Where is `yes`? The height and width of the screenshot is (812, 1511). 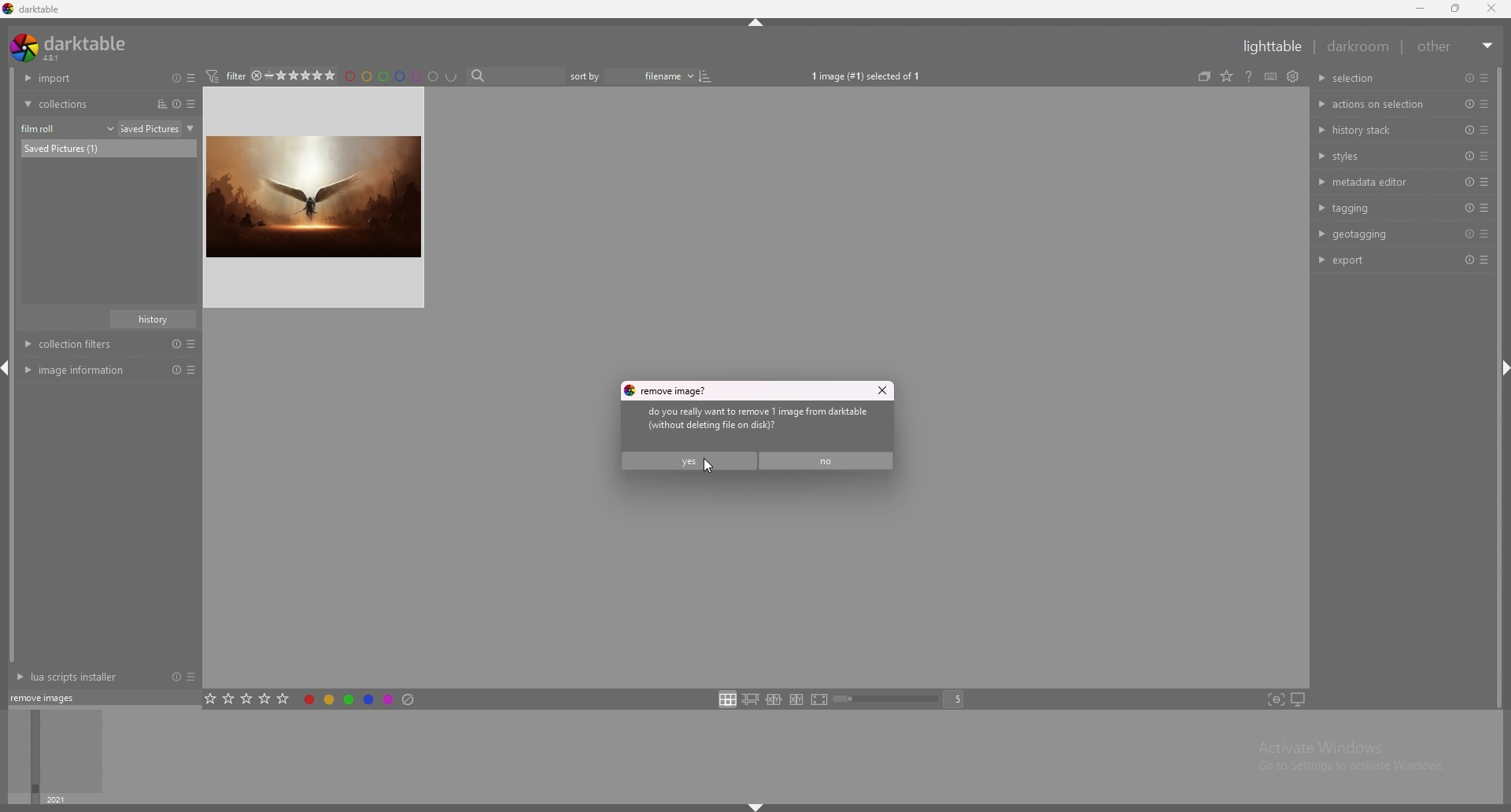 yes is located at coordinates (689, 460).